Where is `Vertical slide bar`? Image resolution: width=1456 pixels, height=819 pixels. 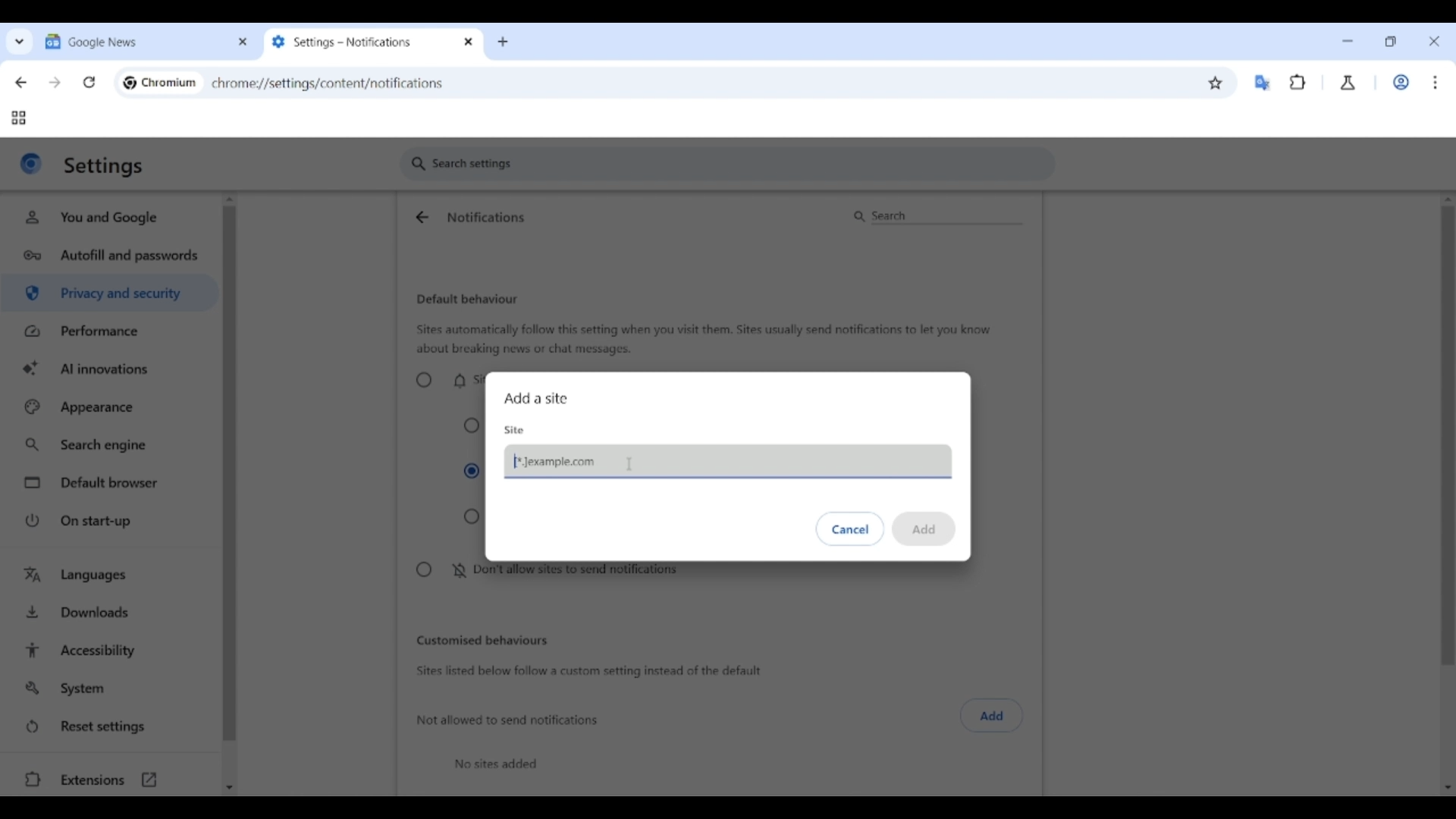
Vertical slide bar is located at coordinates (1448, 361).